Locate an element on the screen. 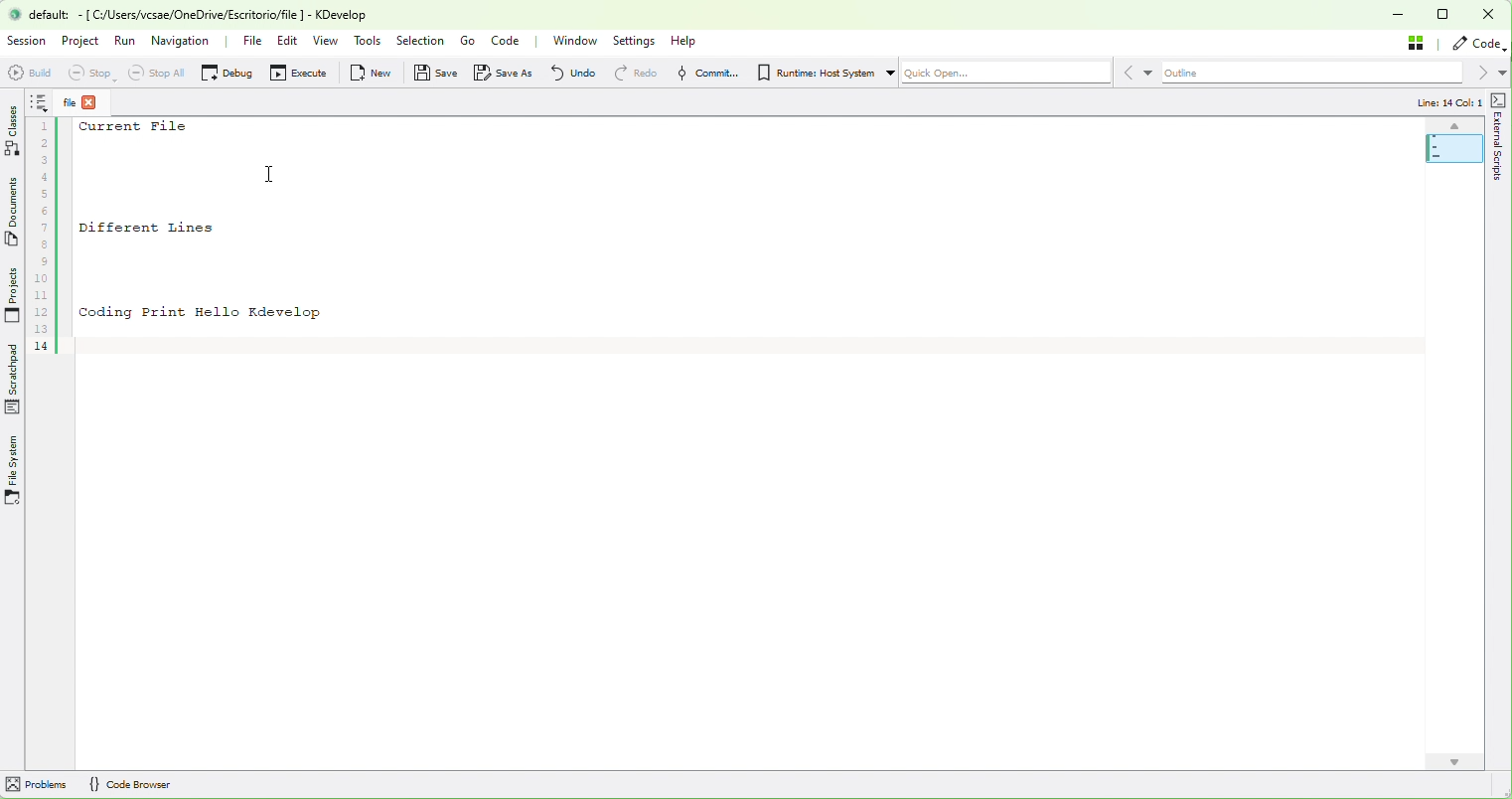 This screenshot has height=799, width=1512. external scripts is located at coordinates (1497, 183).